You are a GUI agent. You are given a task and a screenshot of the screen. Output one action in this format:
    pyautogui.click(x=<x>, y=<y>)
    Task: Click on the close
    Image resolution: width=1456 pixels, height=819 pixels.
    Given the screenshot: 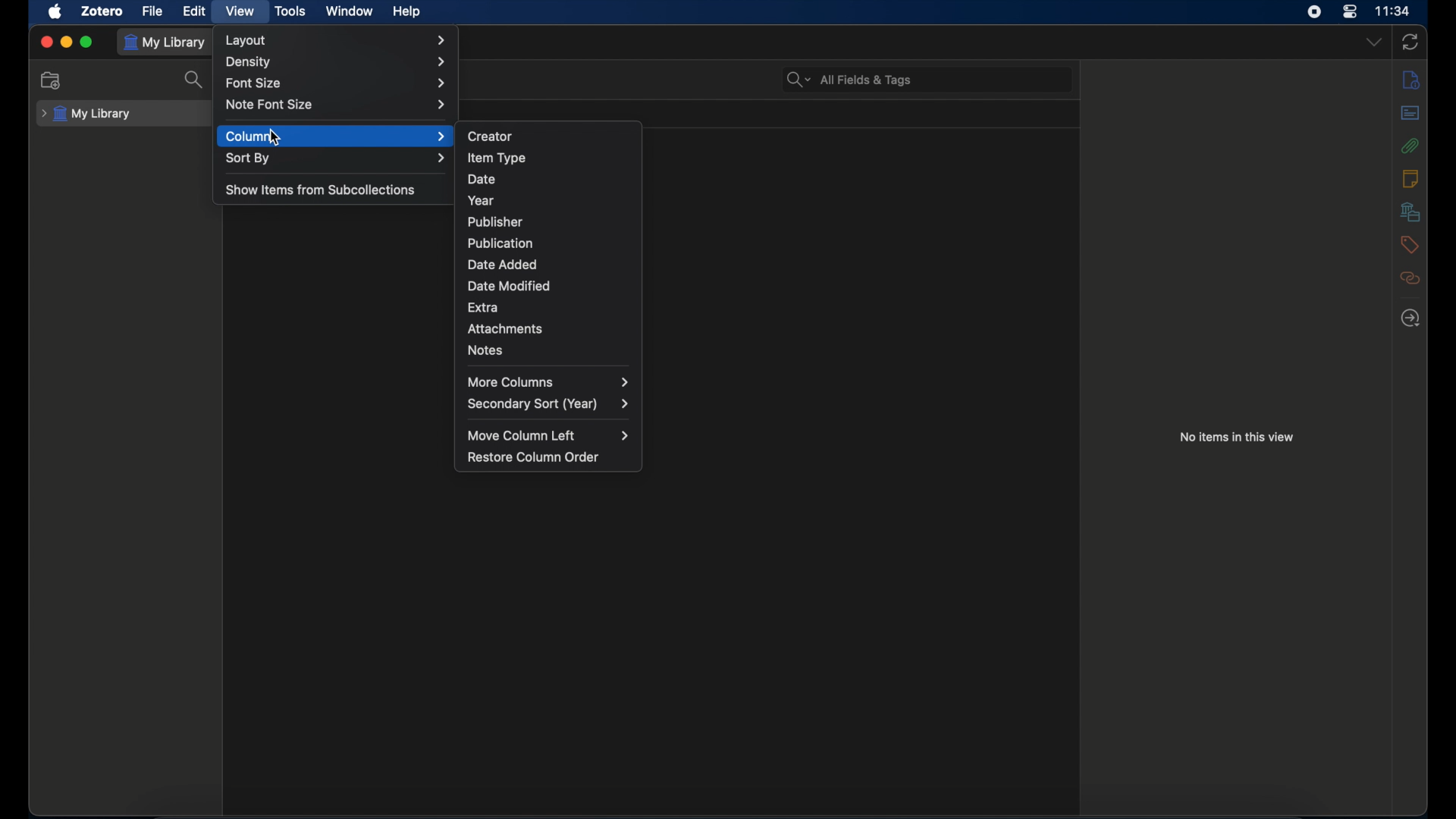 What is the action you would take?
    pyautogui.click(x=45, y=41)
    